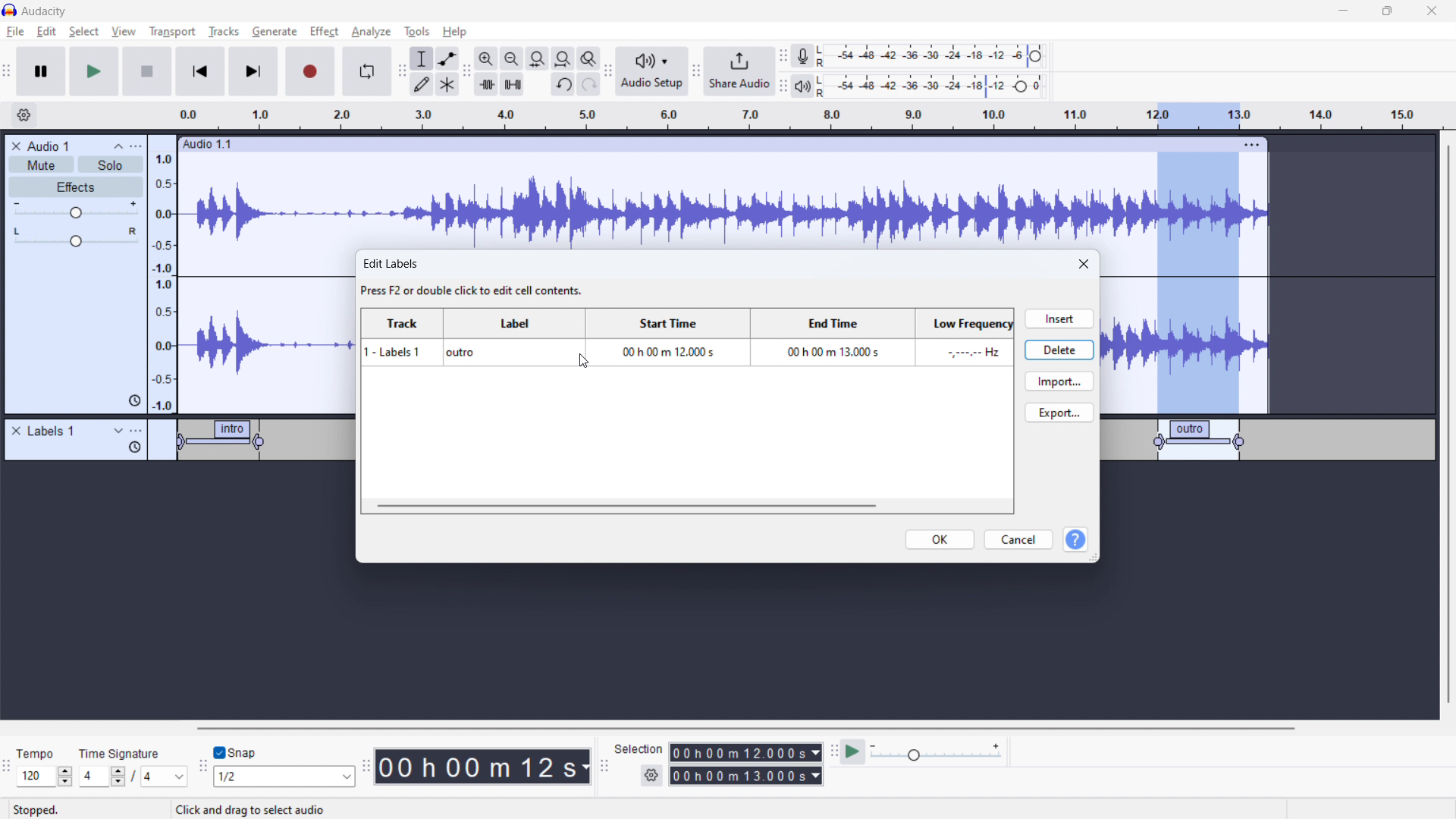 Image resolution: width=1456 pixels, height=819 pixels. I want to click on trim audio outside selection, so click(487, 83).